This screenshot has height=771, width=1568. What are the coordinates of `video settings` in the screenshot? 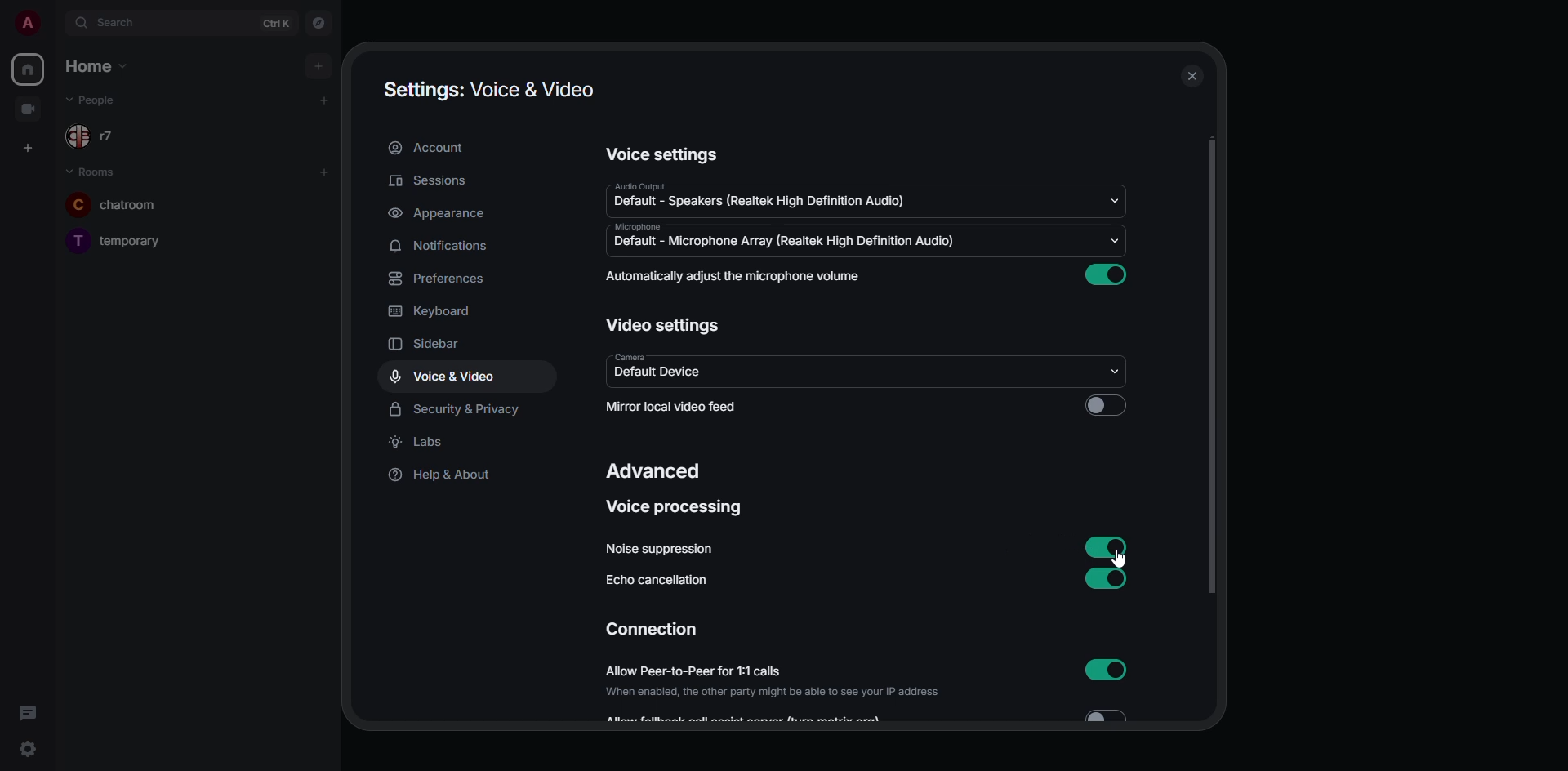 It's located at (663, 323).